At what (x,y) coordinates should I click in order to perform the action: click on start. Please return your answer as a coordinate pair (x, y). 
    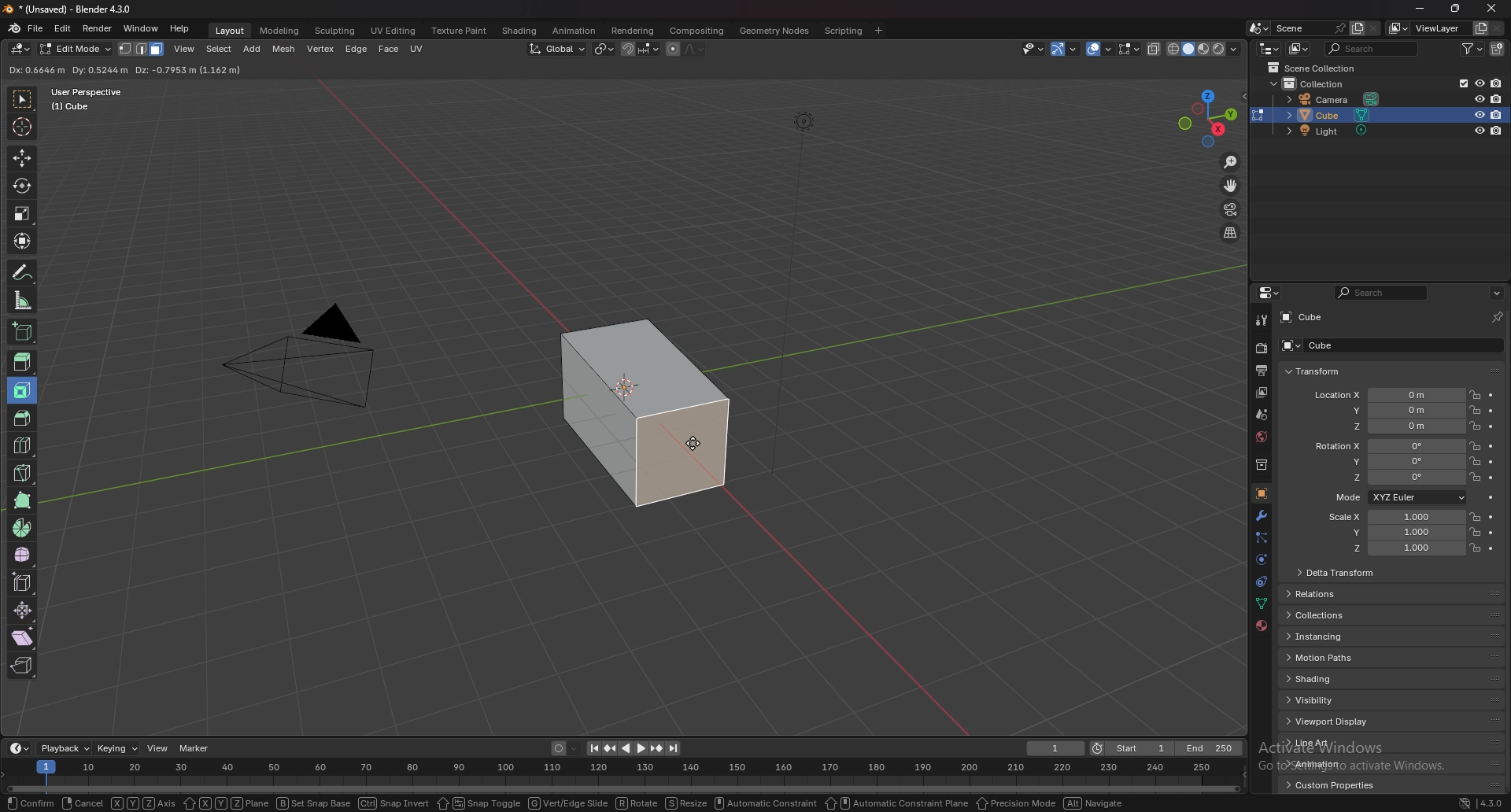
    Looking at the image, I should click on (1132, 747).